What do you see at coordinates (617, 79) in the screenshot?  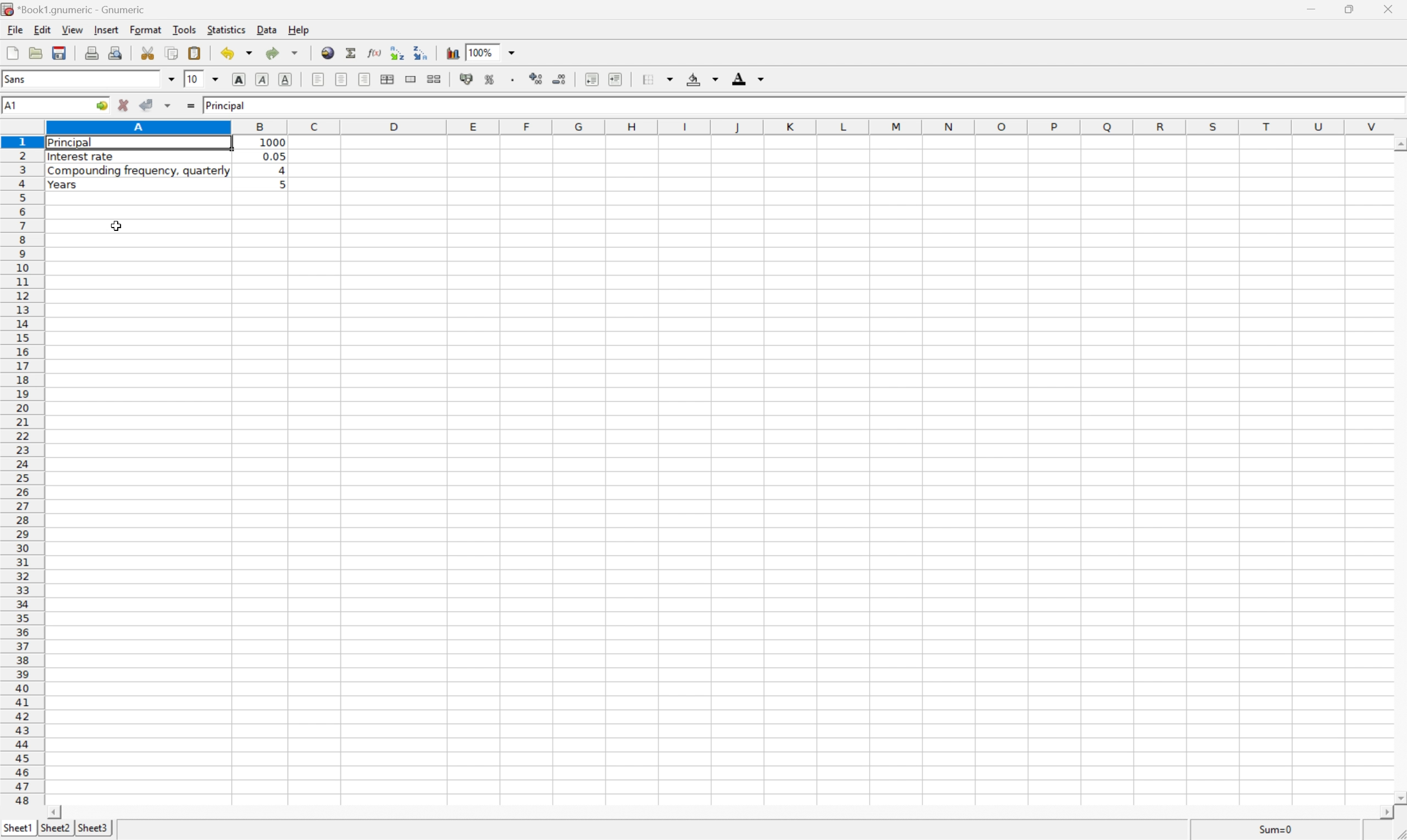 I see `increase indent` at bounding box center [617, 79].